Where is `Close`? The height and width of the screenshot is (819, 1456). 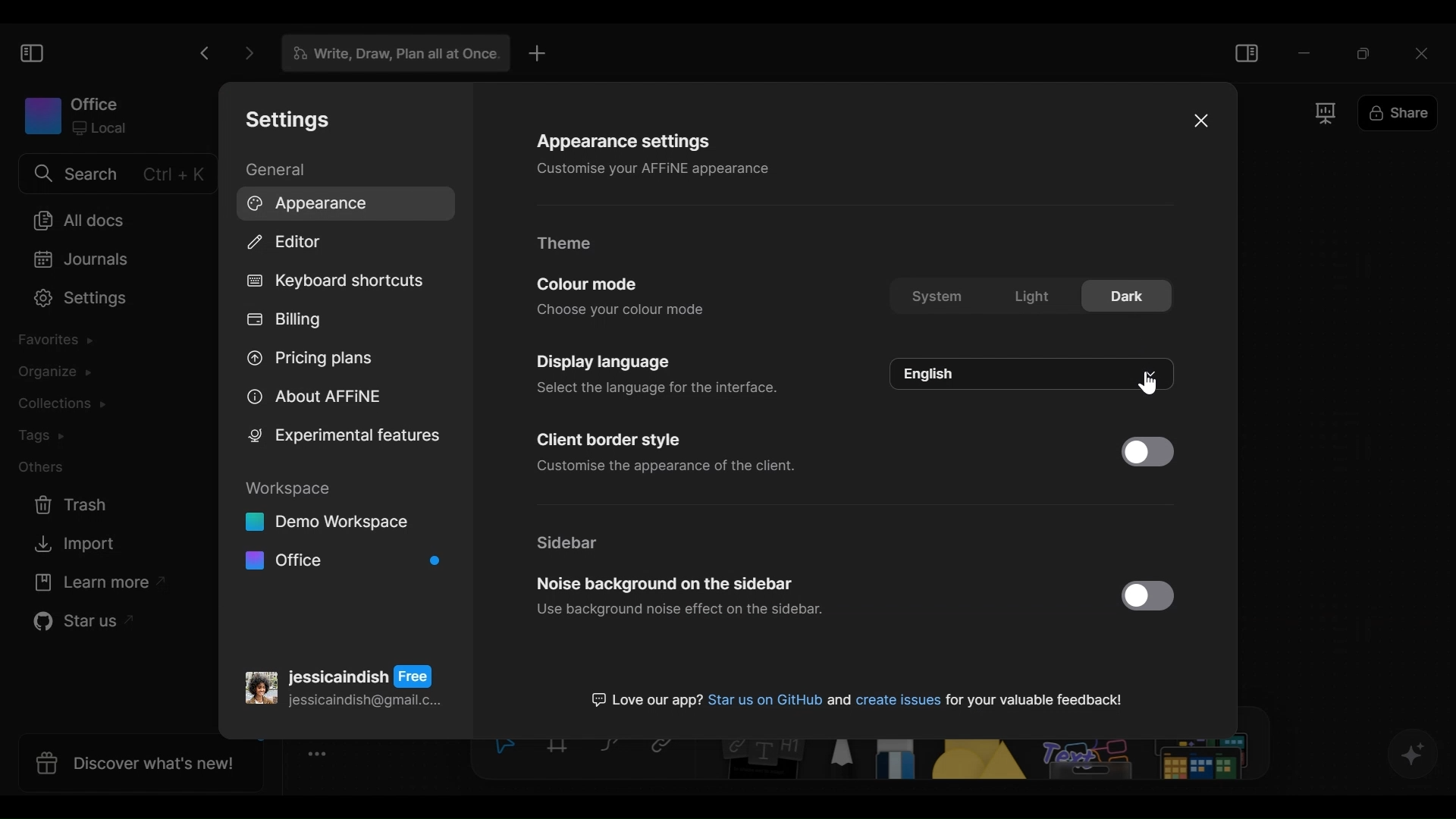 Close is located at coordinates (1199, 120).